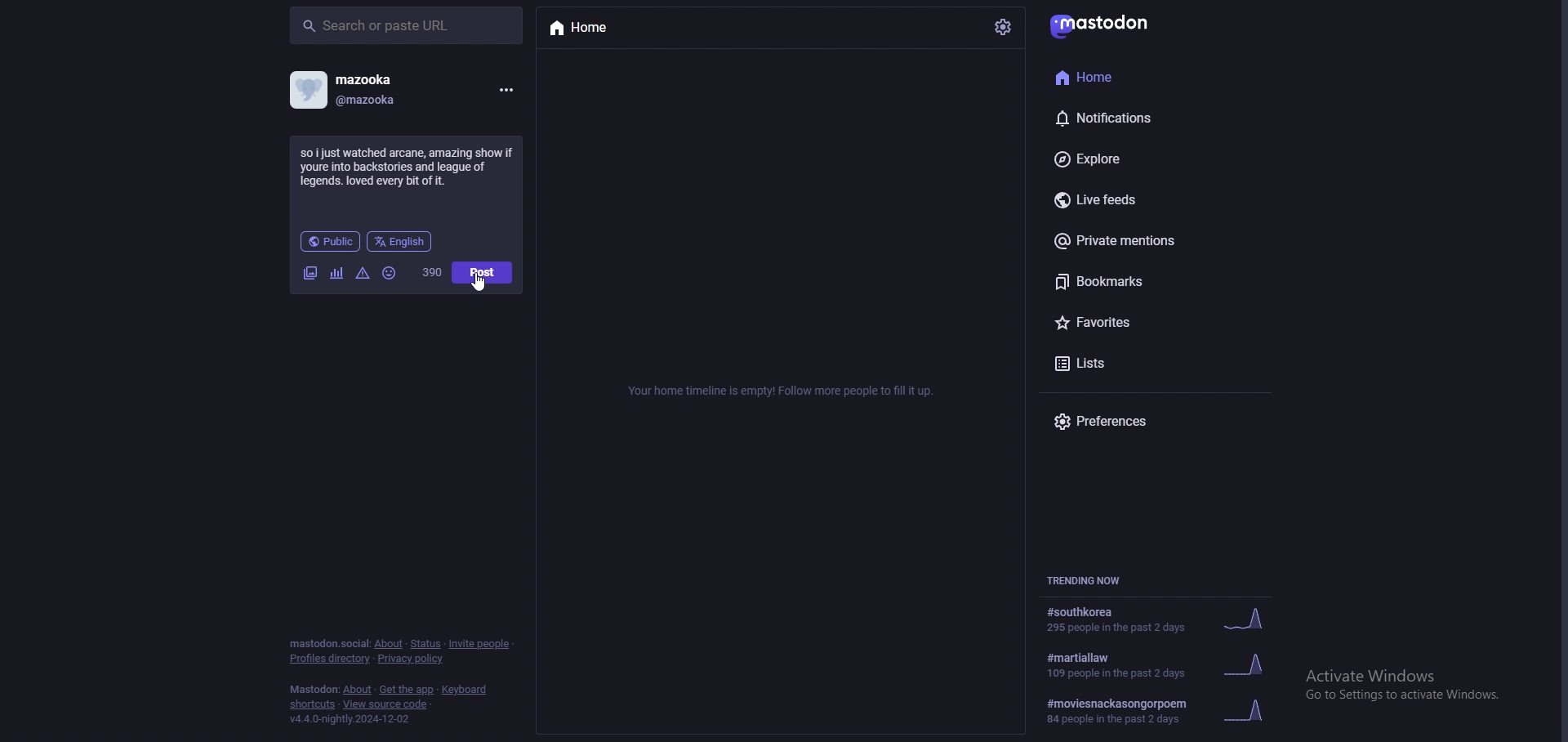  I want to click on trending now, so click(1091, 579).